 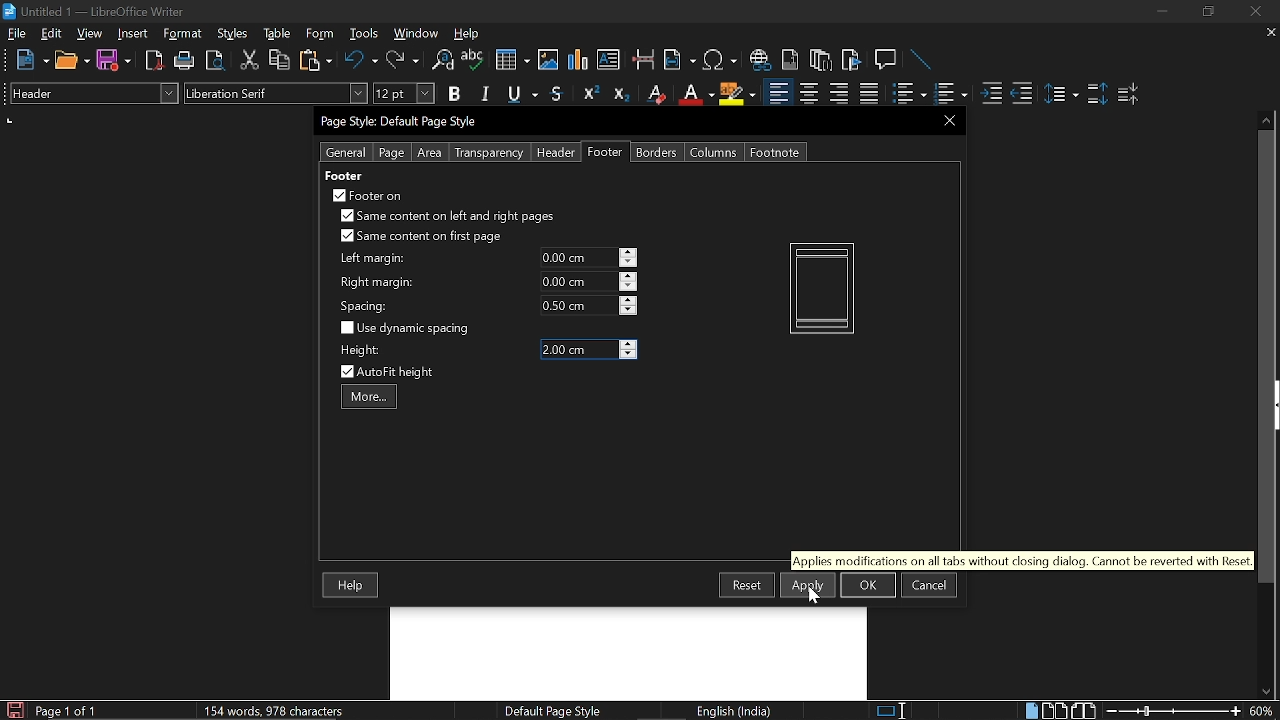 What do you see at coordinates (137, 33) in the screenshot?
I see `Insert` at bounding box center [137, 33].